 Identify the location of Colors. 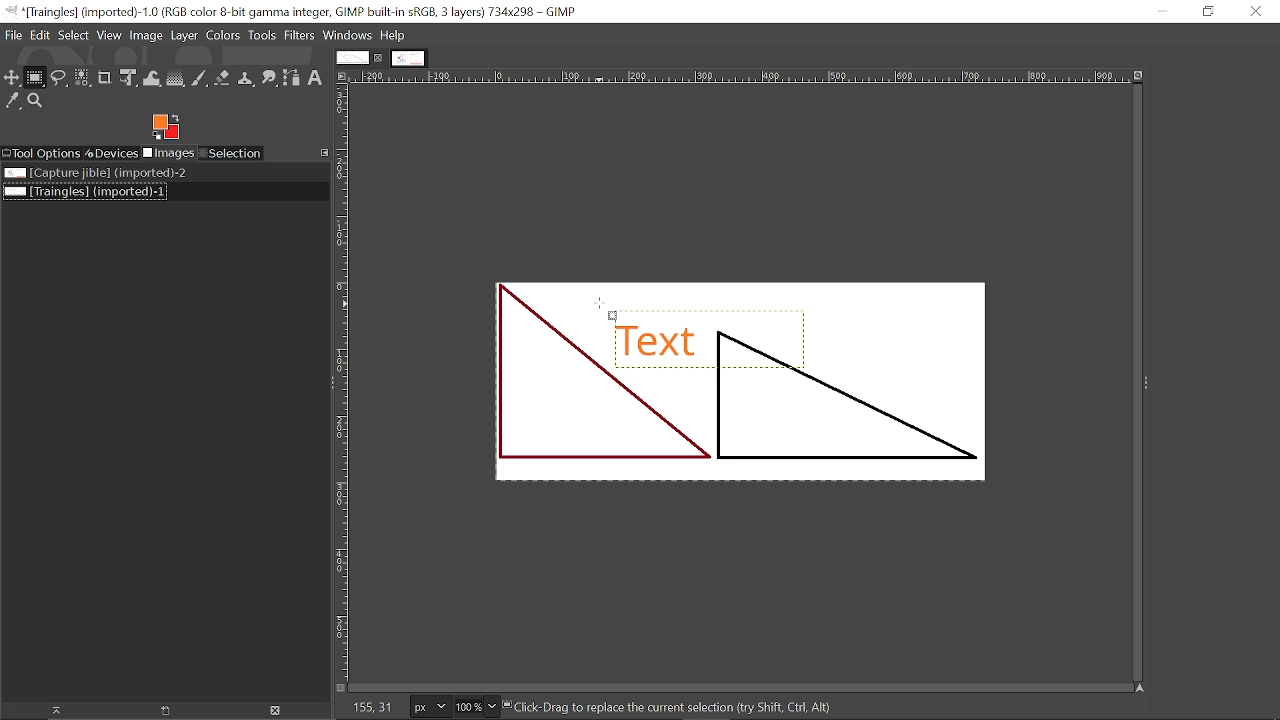
(223, 36).